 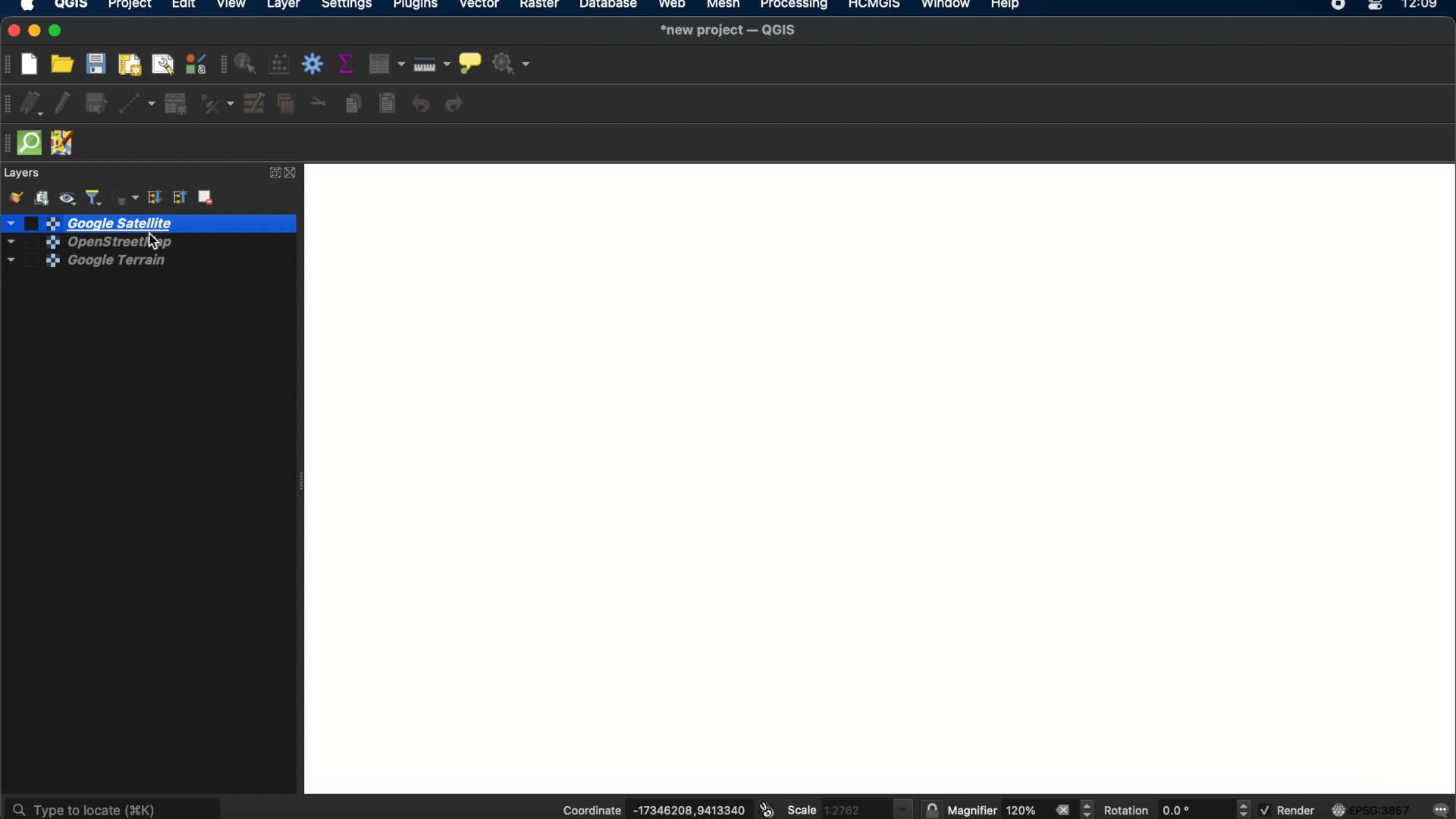 I want to click on close, so click(x=294, y=173).